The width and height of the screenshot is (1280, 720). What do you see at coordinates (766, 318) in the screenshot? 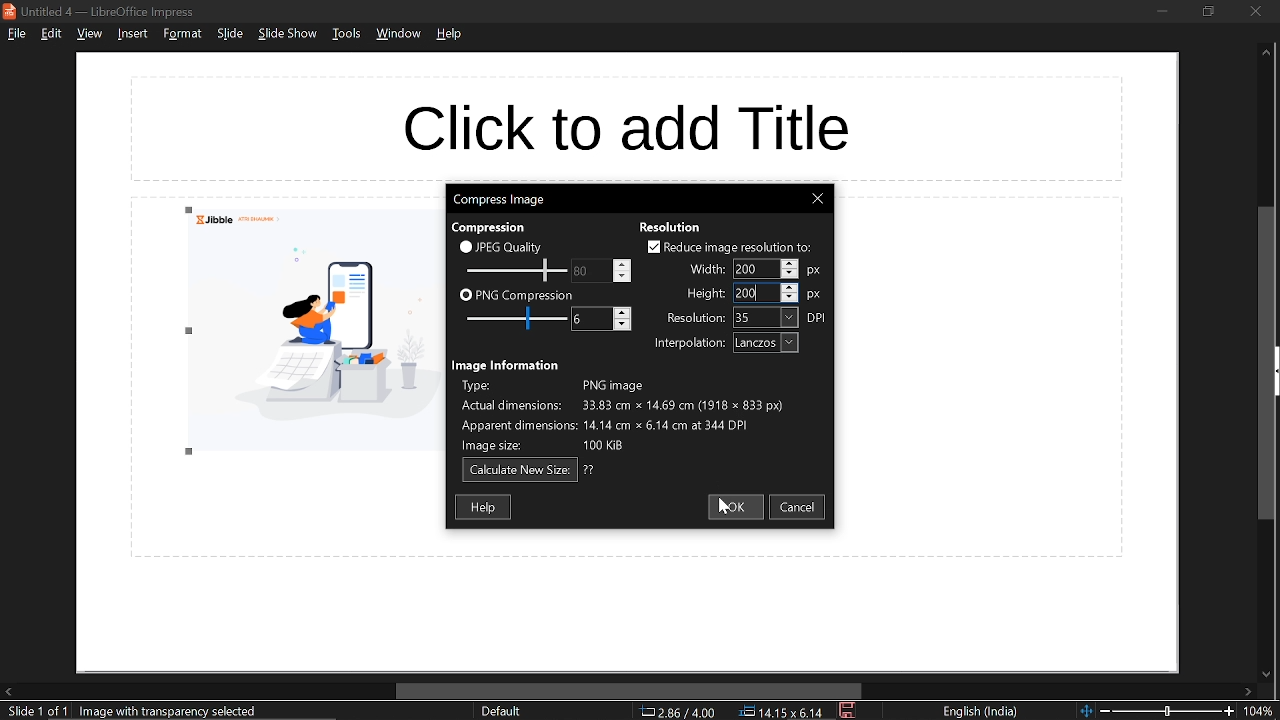
I see `resolution` at bounding box center [766, 318].